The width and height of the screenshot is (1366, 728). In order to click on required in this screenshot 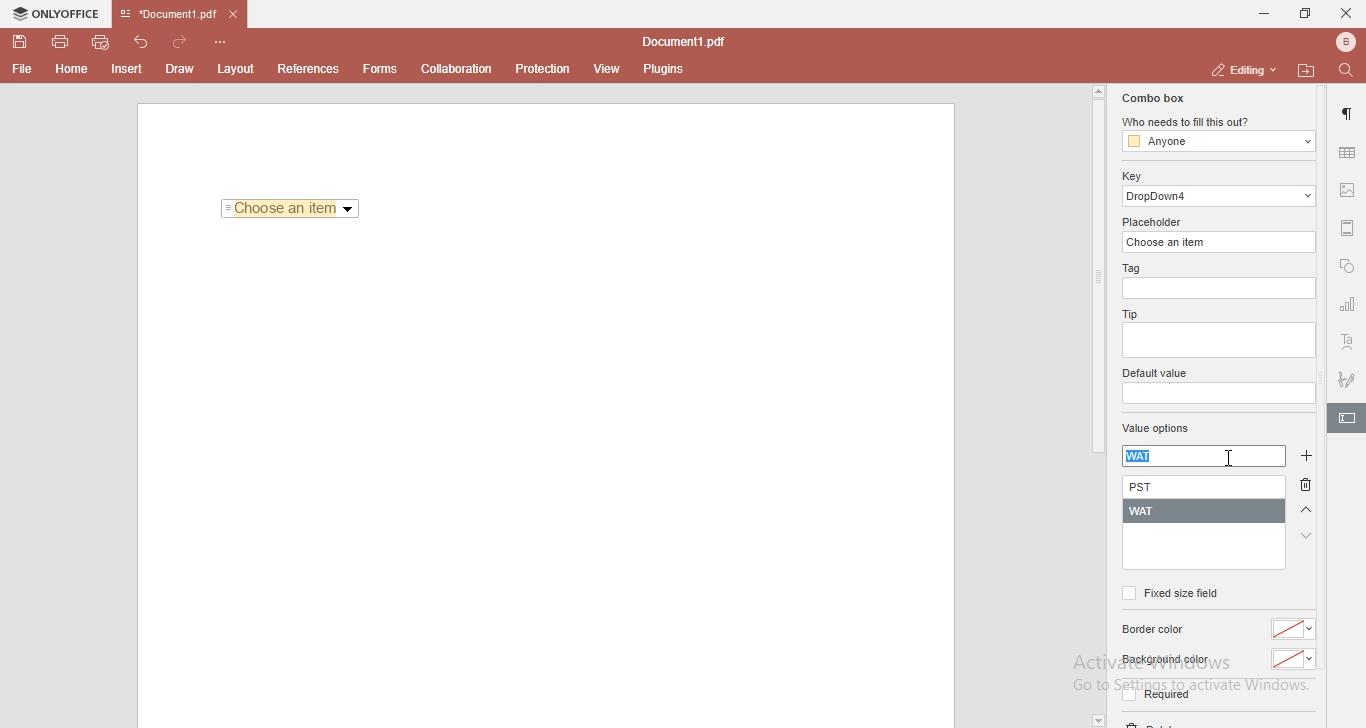, I will do `click(1154, 698)`.